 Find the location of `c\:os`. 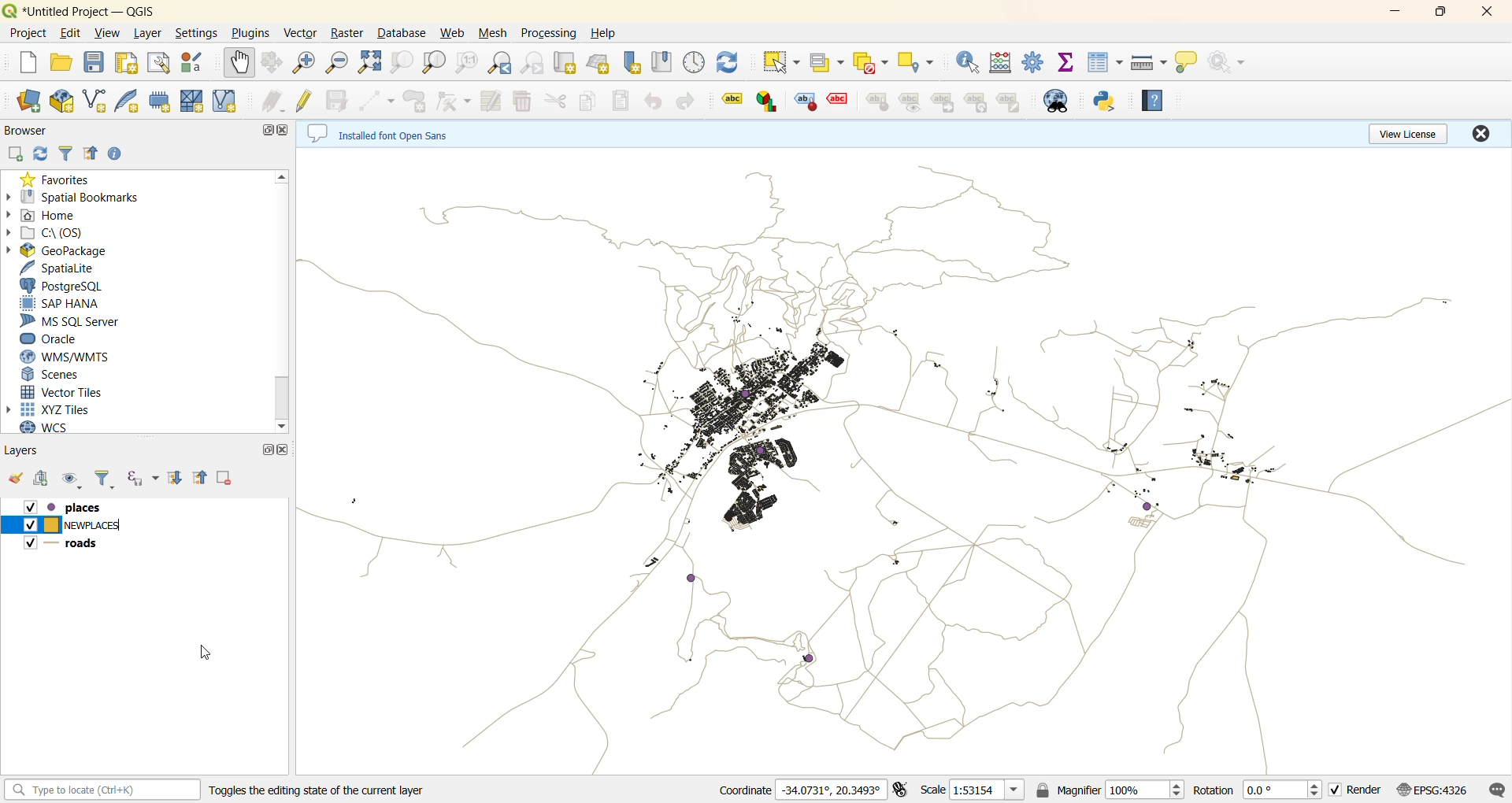

c\:os is located at coordinates (53, 231).